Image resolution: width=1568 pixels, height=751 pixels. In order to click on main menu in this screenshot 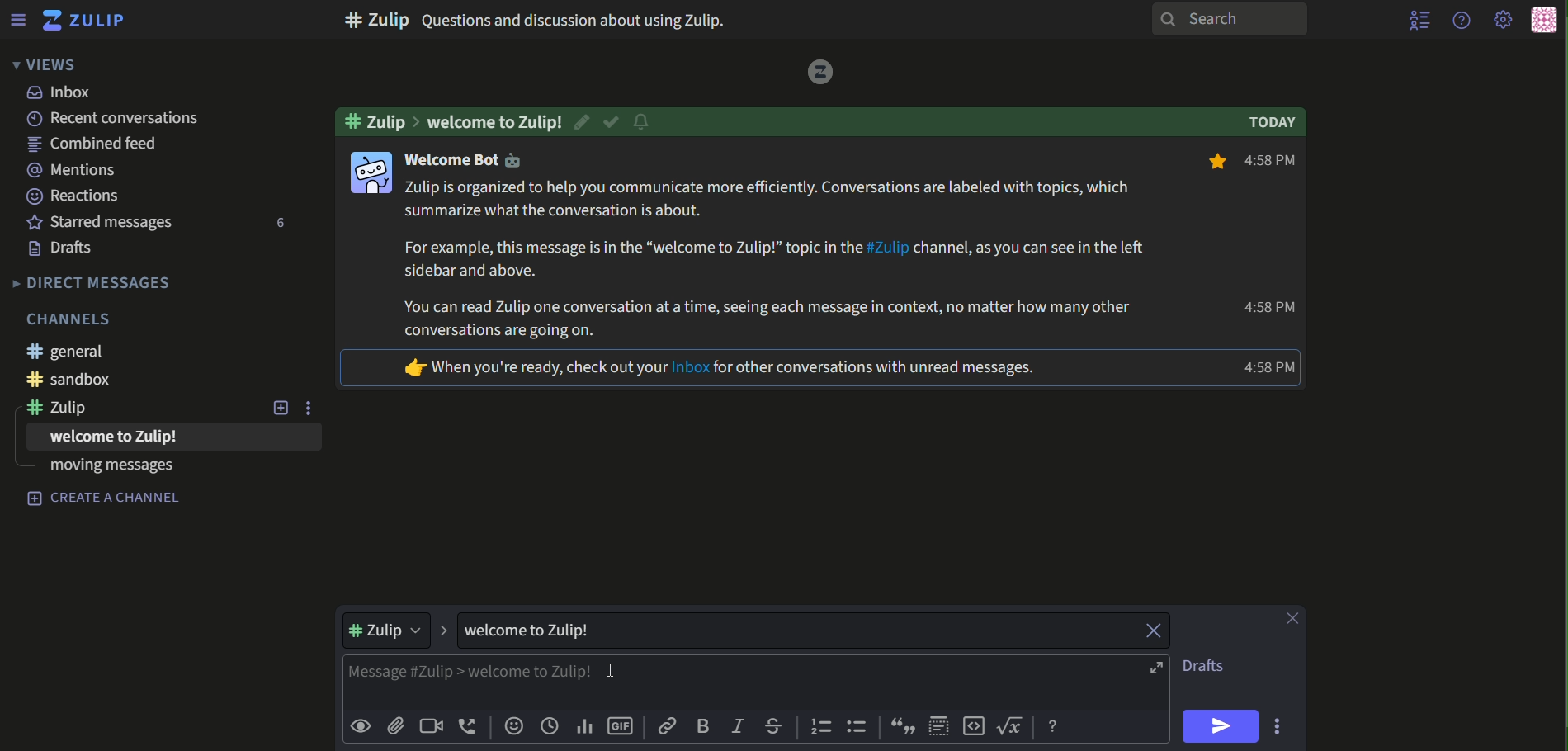, I will do `click(1504, 21)`.